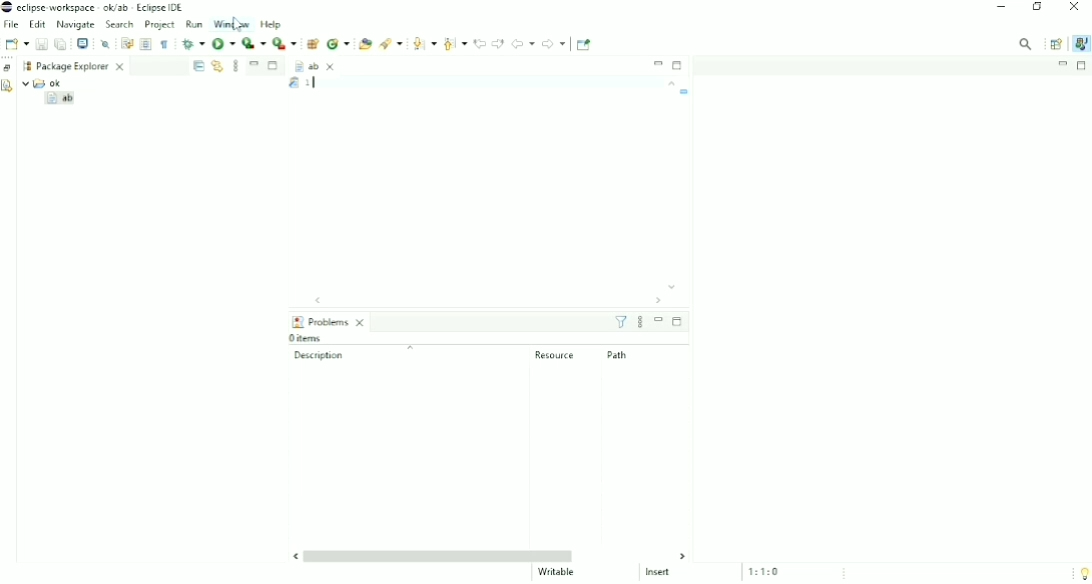 Image resolution: width=1092 pixels, height=584 pixels. I want to click on Coverage, so click(253, 44).